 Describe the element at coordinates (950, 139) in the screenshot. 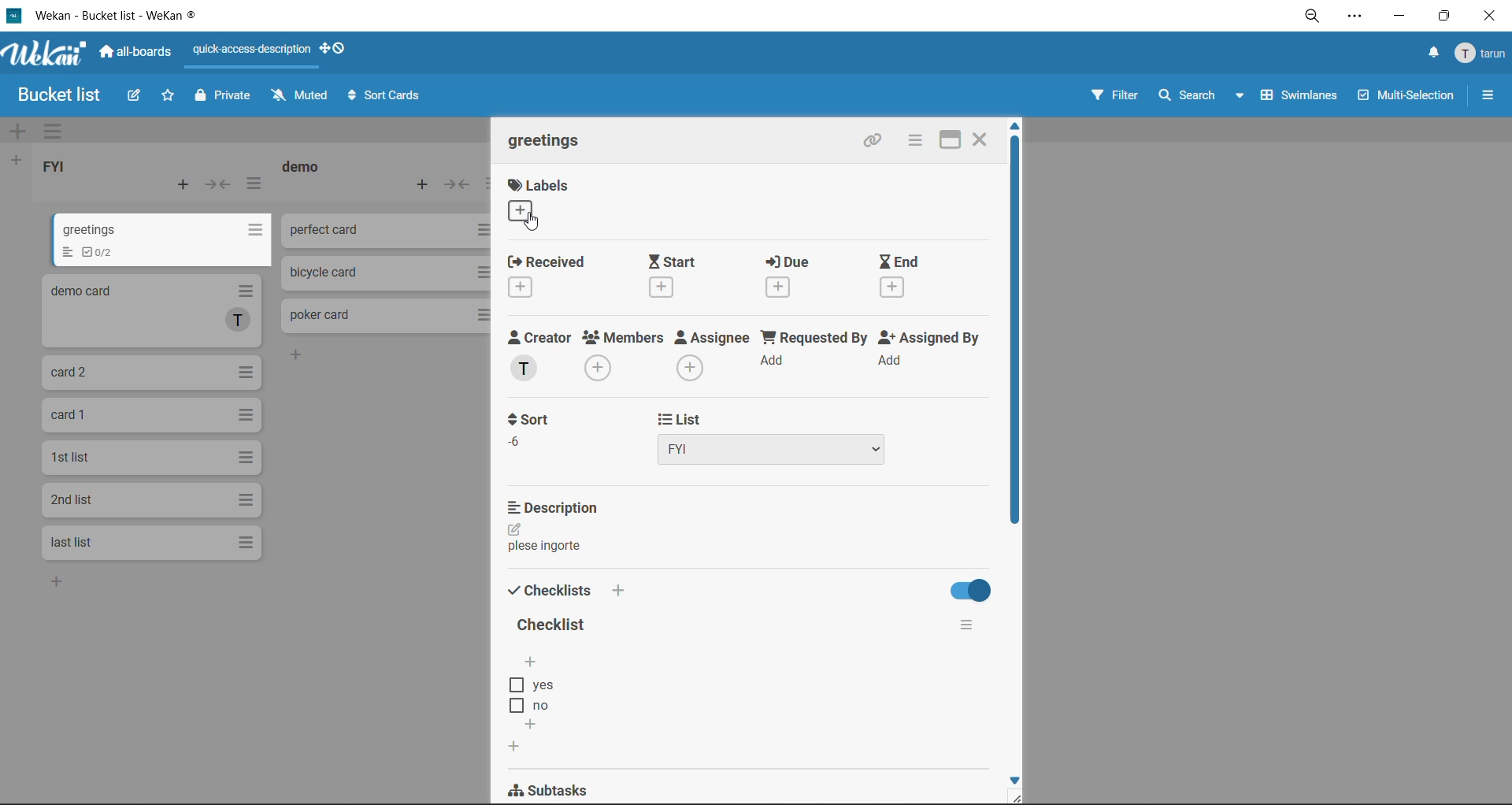

I see `maximize` at that location.